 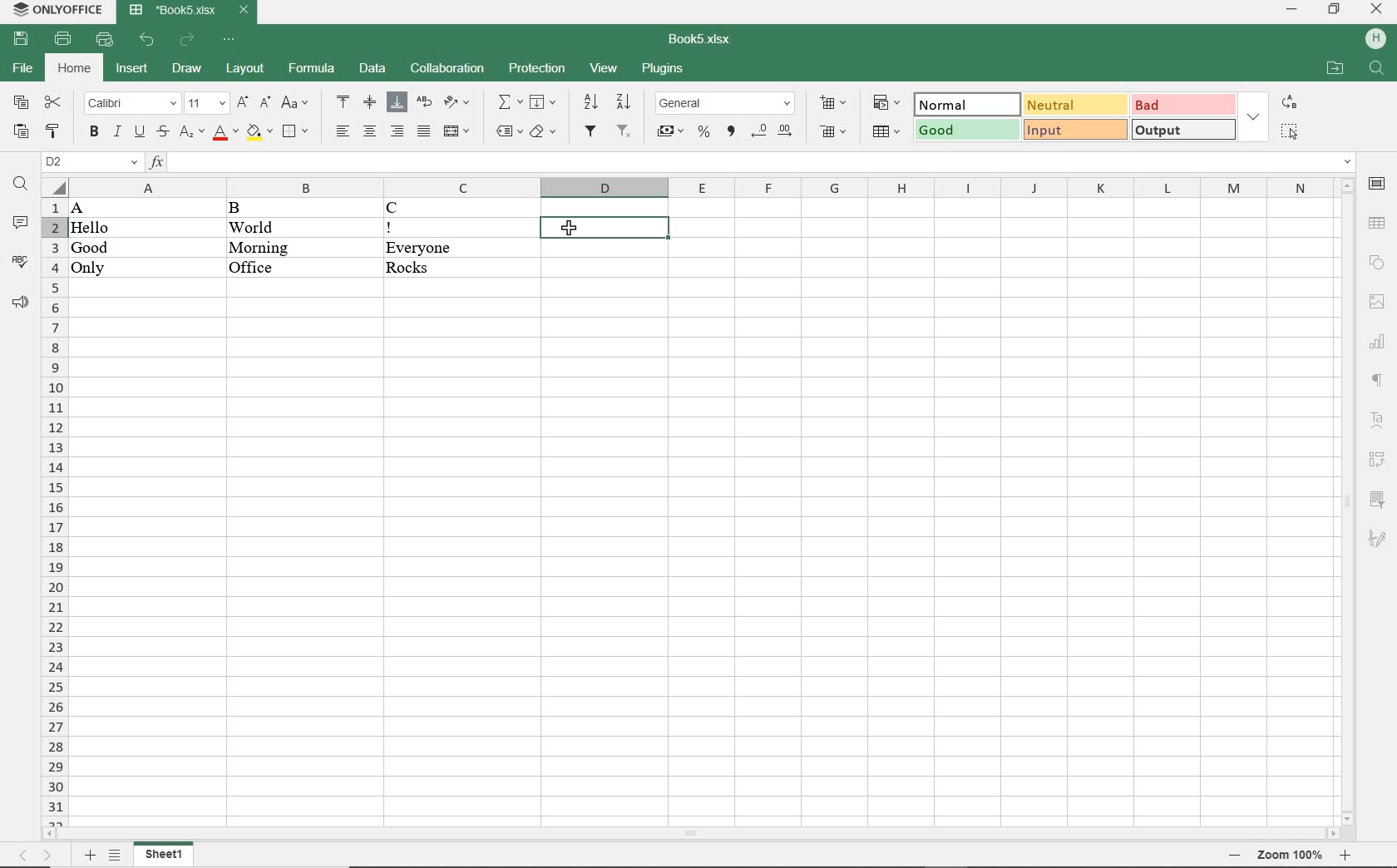 What do you see at coordinates (1346, 501) in the screenshot?
I see `SCROLLBAR` at bounding box center [1346, 501].